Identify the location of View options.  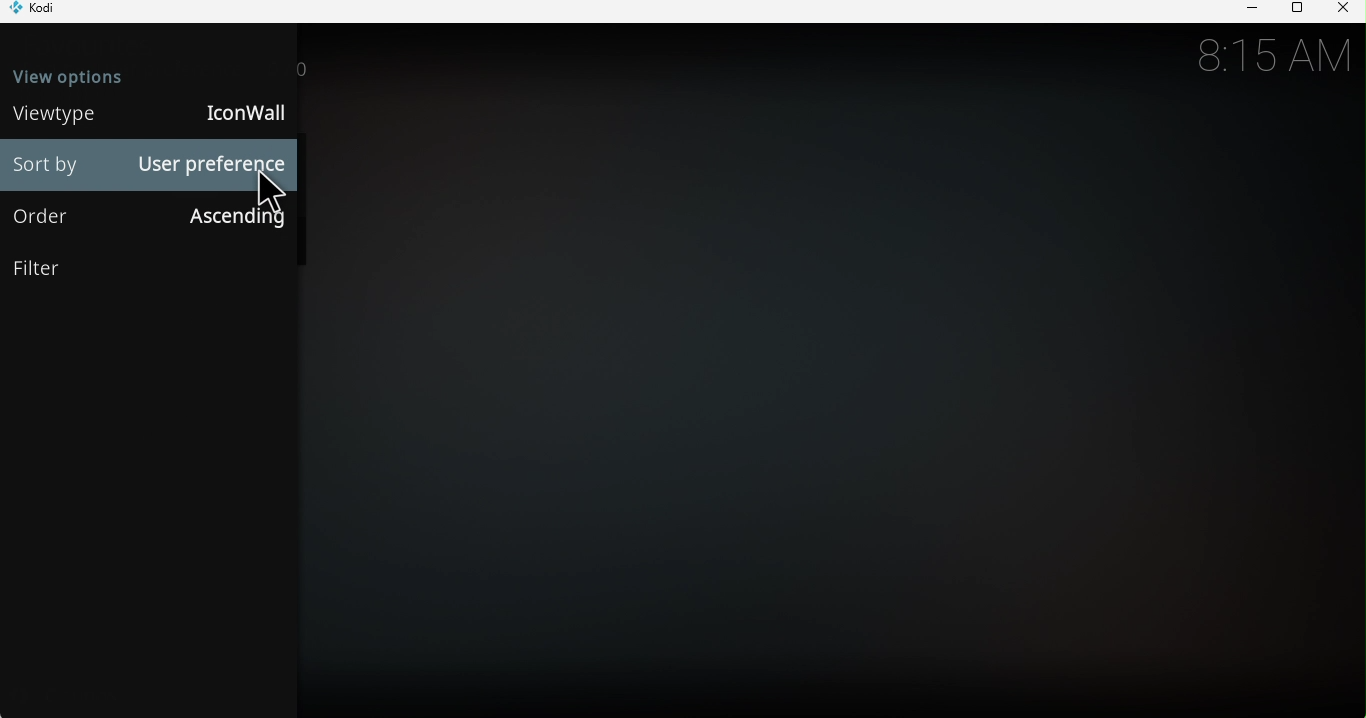
(92, 73).